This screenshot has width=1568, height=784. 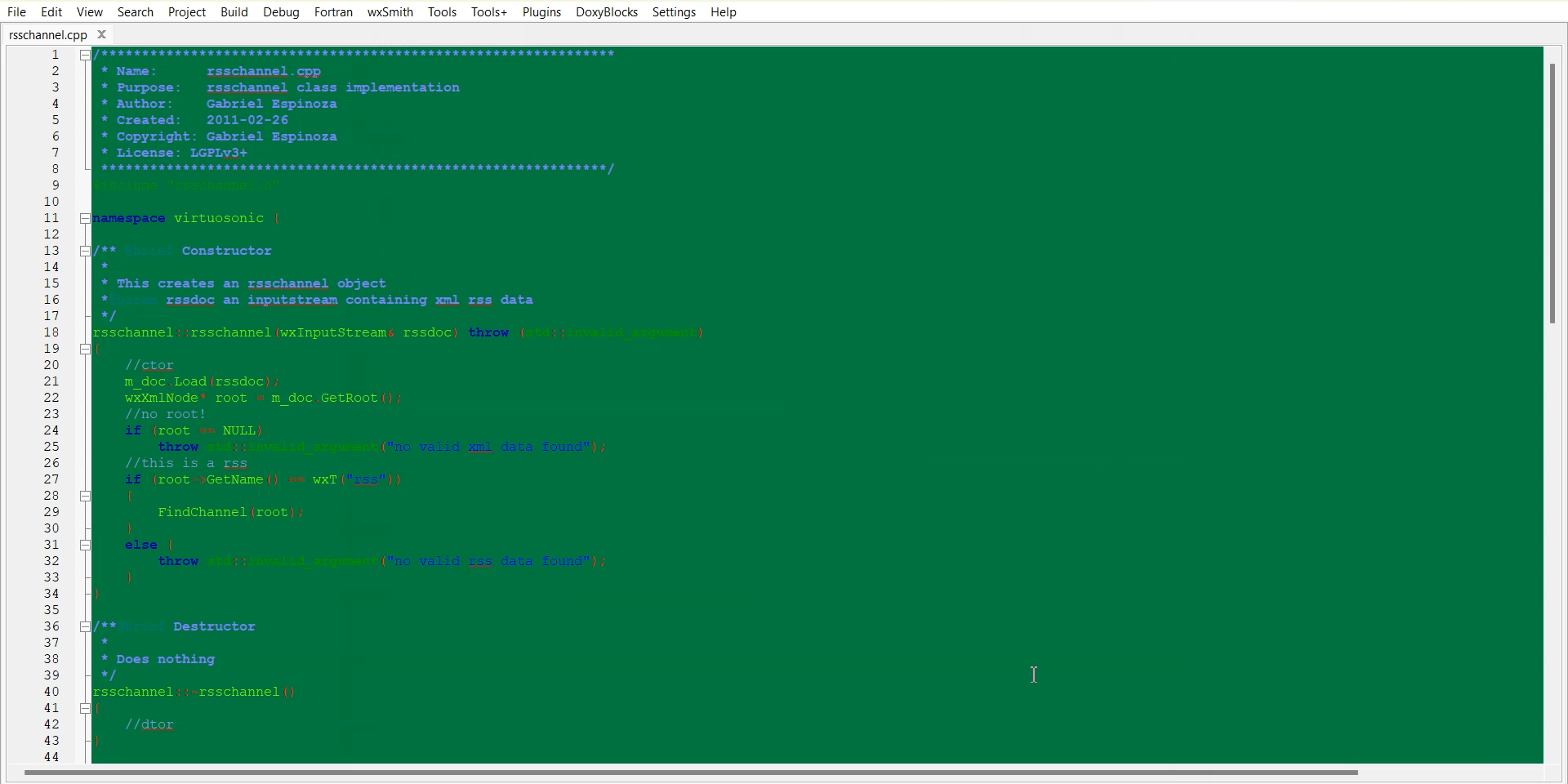 What do you see at coordinates (724, 11) in the screenshot?
I see `Help` at bounding box center [724, 11].